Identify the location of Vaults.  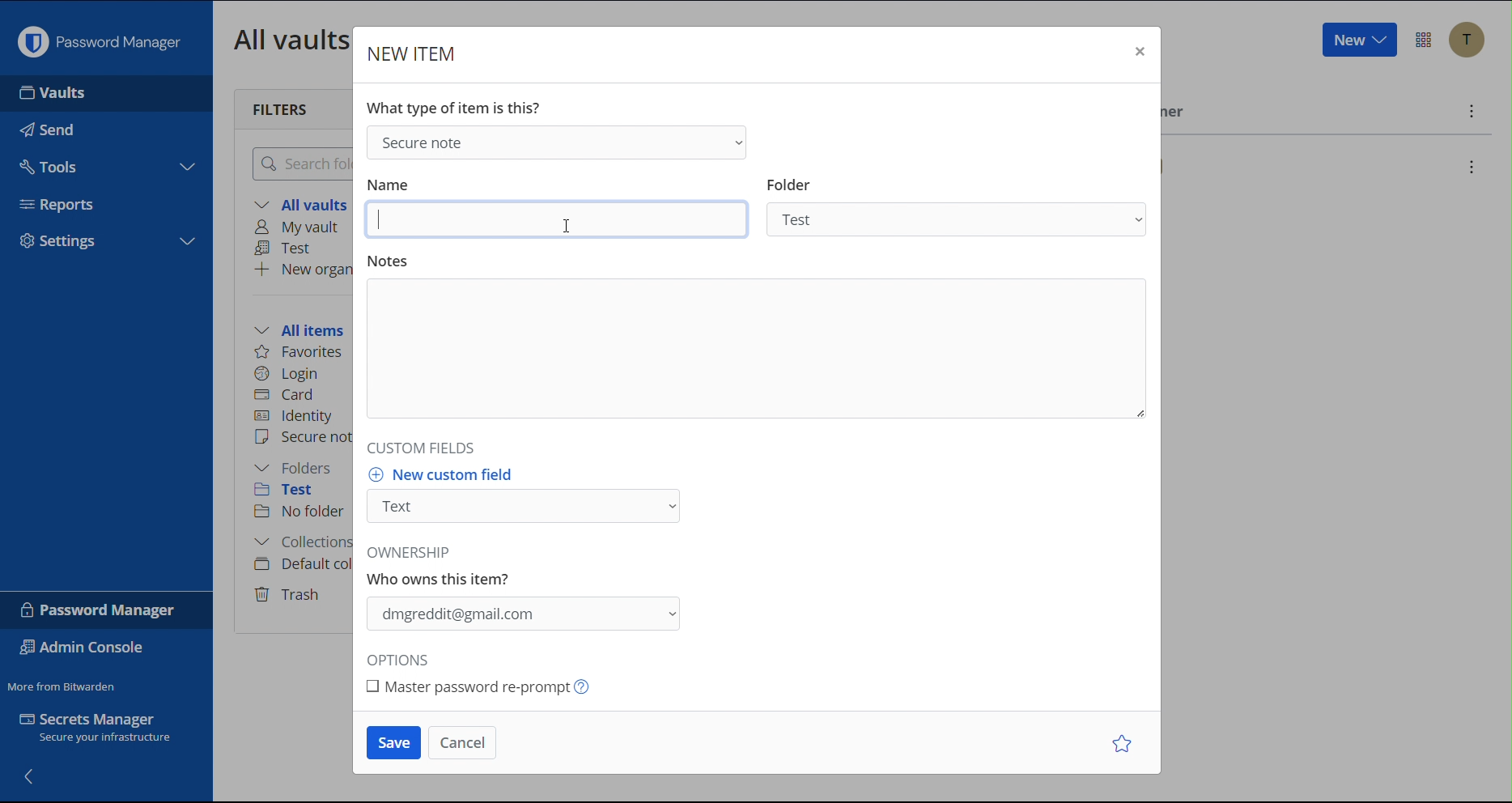
(57, 93).